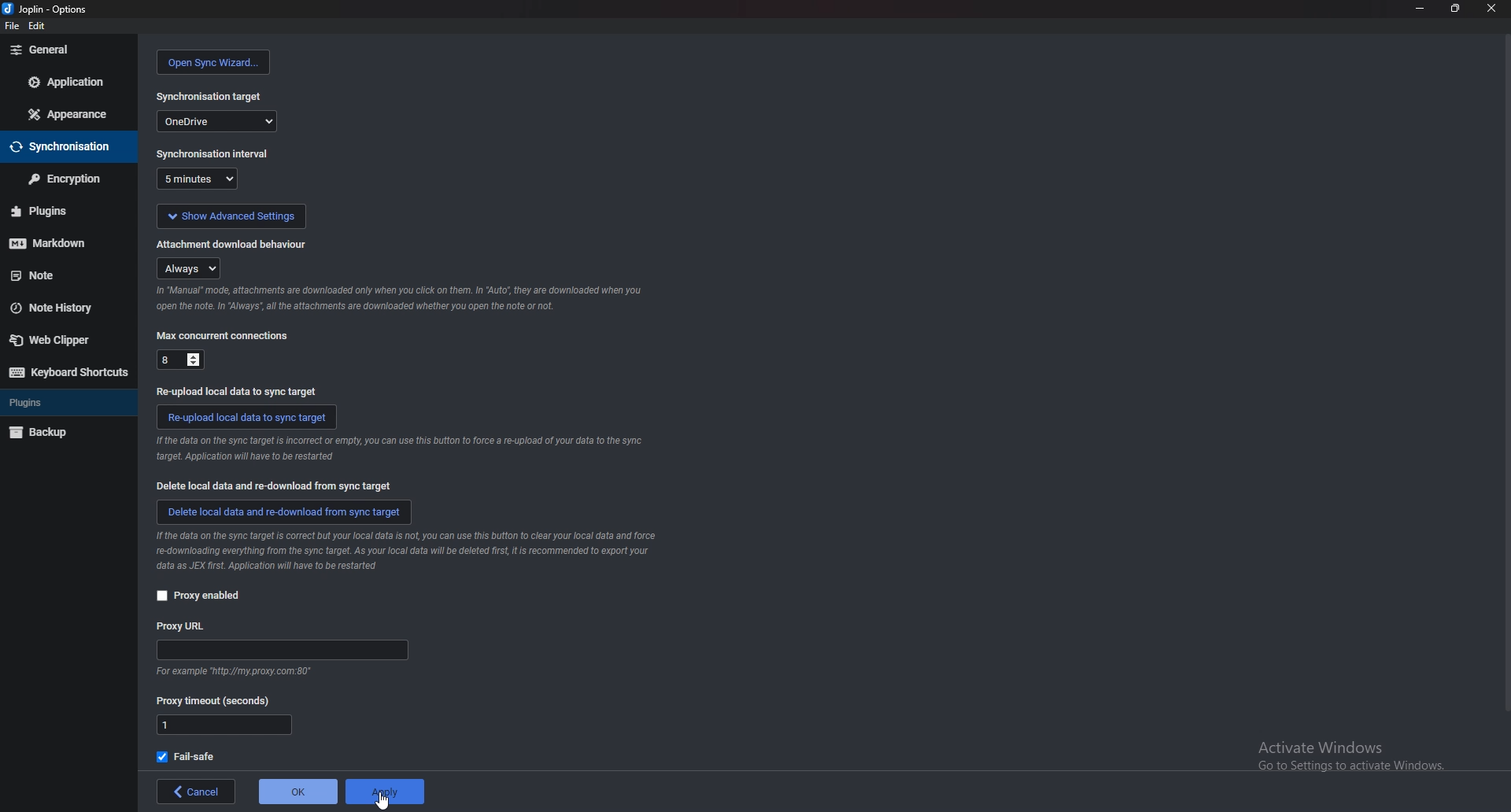 The width and height of the screenshot is (1511, 812). Describe the element at coordinates (187, 626) in the screenshot. I see `proxy url` at that location.